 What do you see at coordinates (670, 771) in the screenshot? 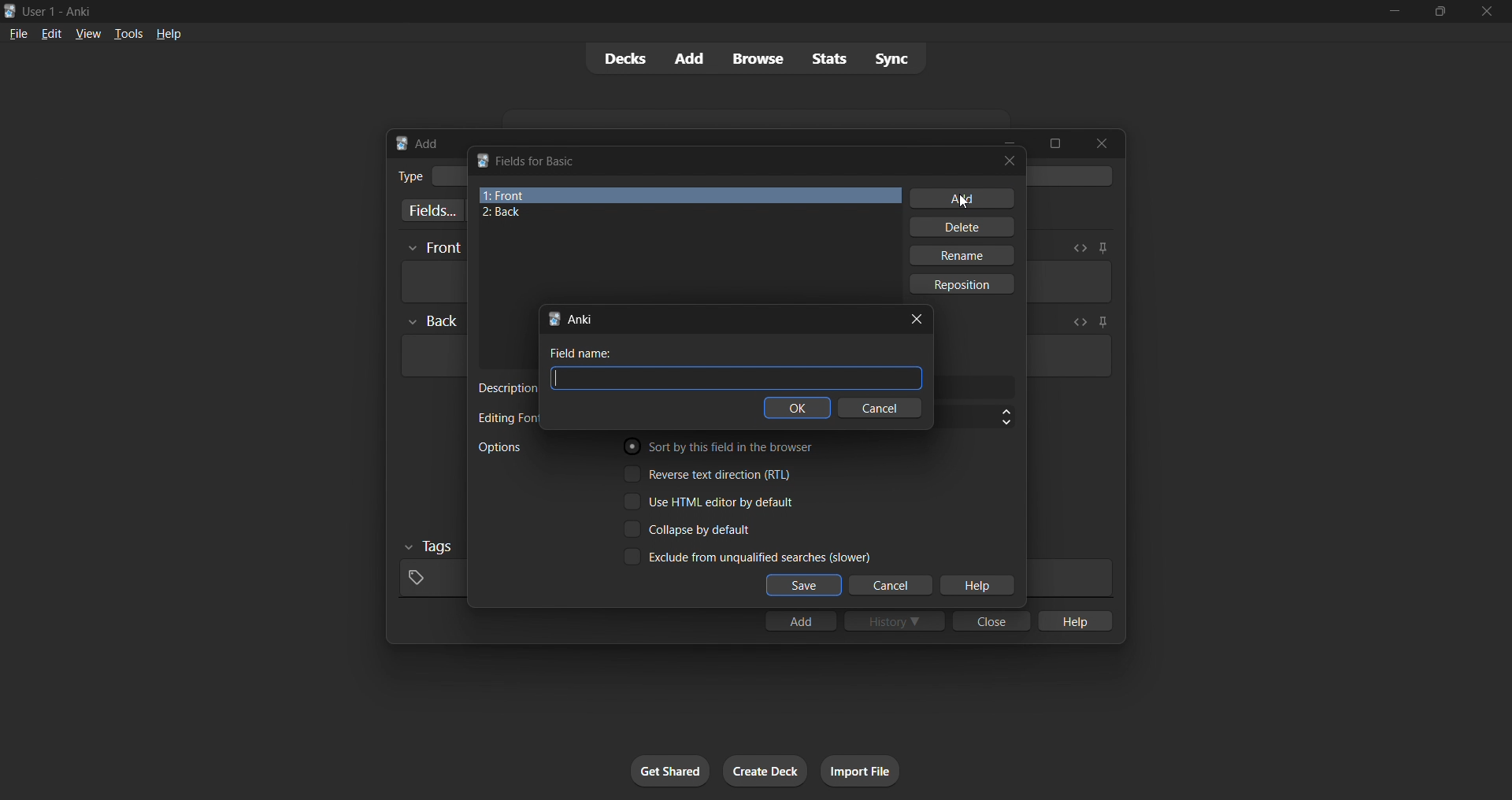
I see `get shared` at bounding box center [670, 771].